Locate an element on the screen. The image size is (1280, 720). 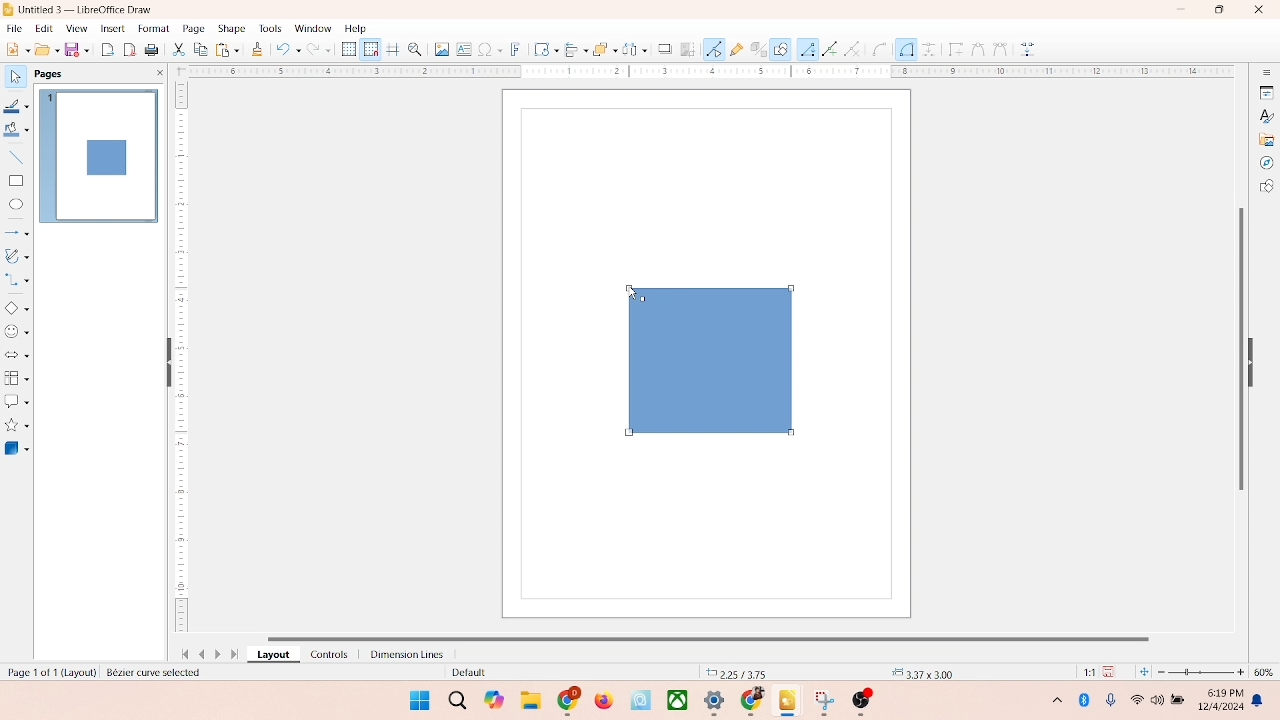
zoom factor is located at coordinates (1202, 672).